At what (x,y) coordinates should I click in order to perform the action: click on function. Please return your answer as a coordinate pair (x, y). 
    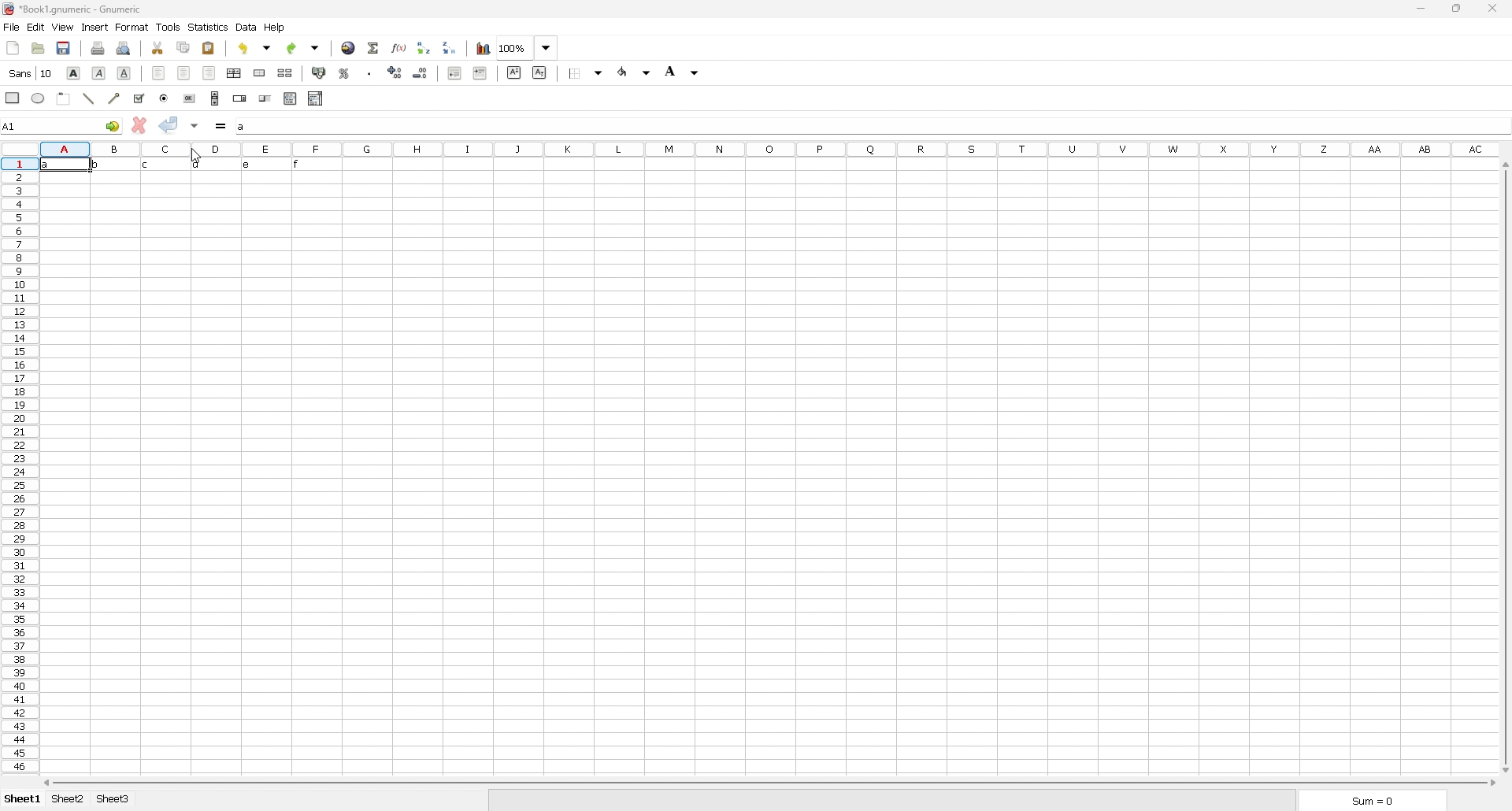
    Looking at the image, I should click on (399, 48).